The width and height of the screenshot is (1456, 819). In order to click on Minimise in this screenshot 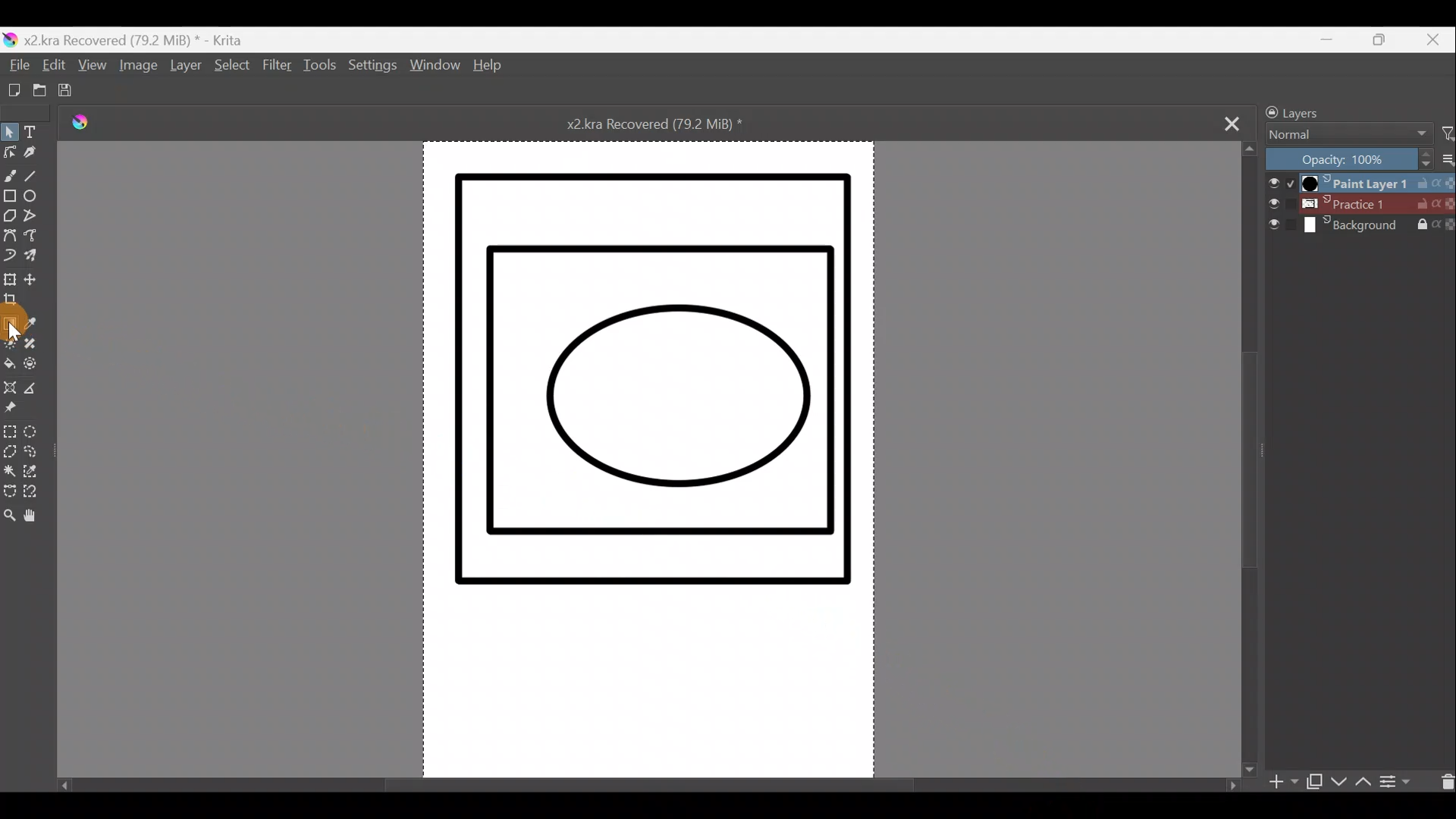, I will do `click(1334, 39)`.